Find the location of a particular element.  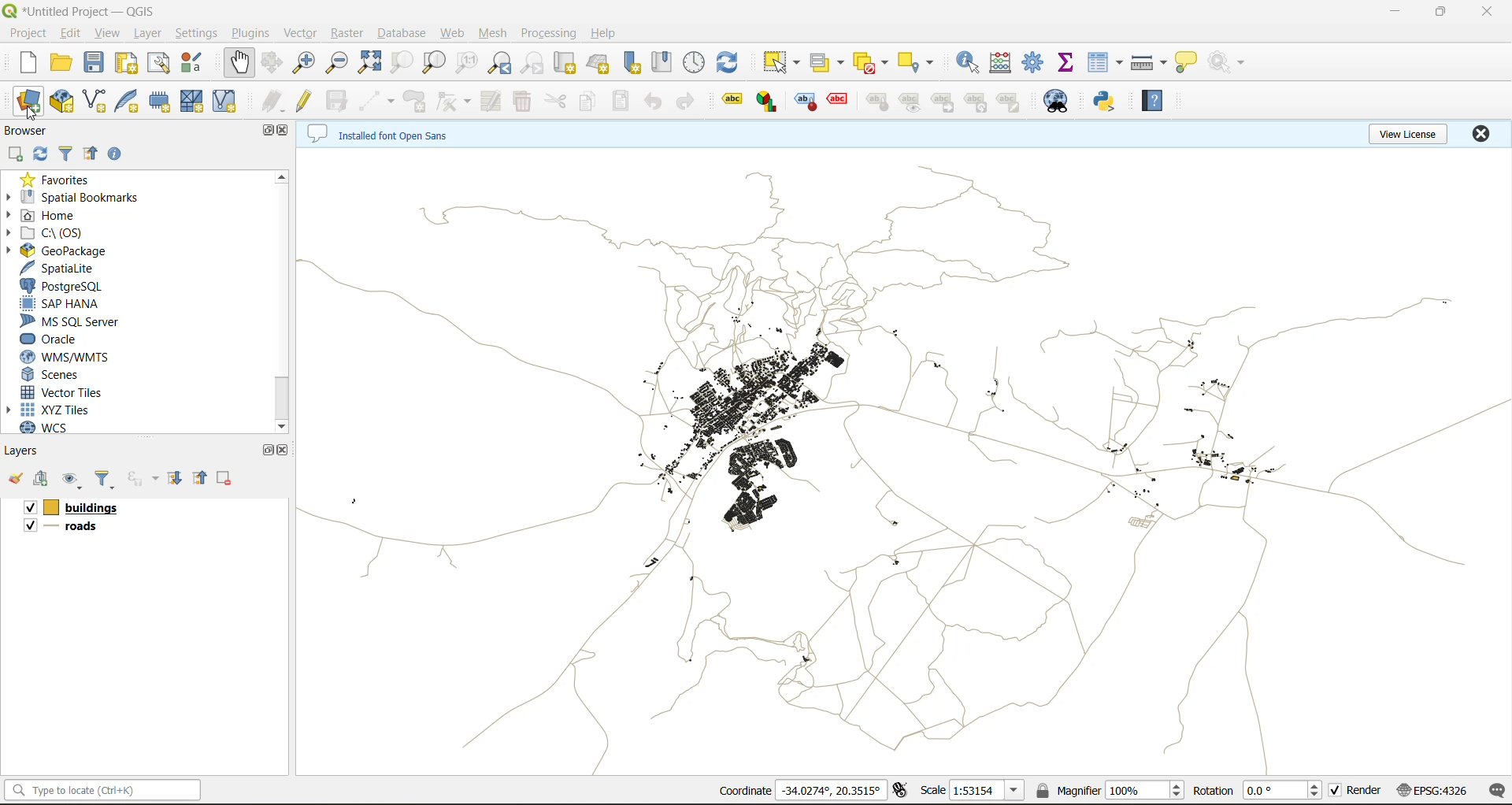

plugins is located at coordinates (254, 32).